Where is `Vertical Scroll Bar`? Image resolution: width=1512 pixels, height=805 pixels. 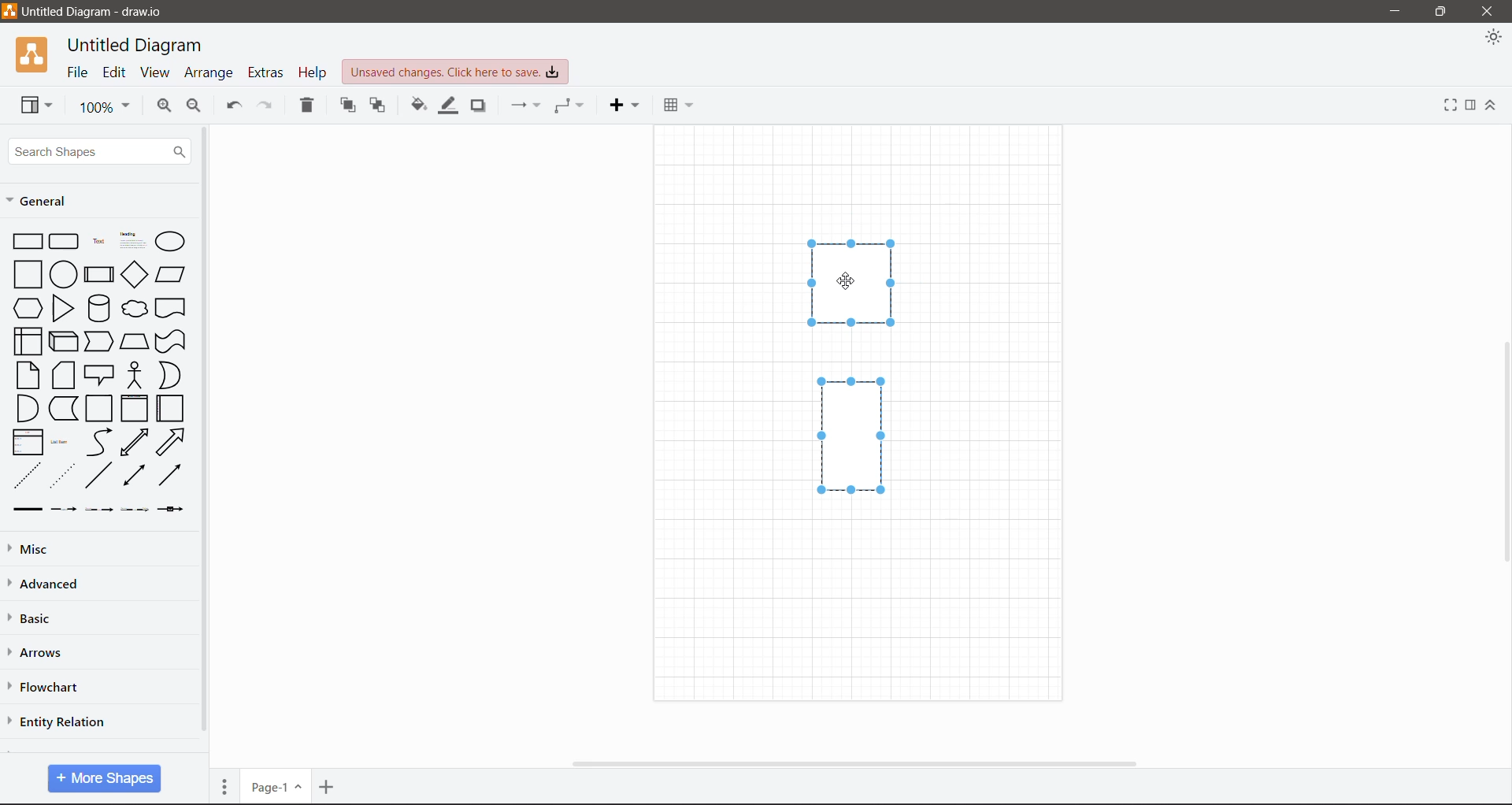 Vertical Scroll Bar is located at coordinates (205, 436).